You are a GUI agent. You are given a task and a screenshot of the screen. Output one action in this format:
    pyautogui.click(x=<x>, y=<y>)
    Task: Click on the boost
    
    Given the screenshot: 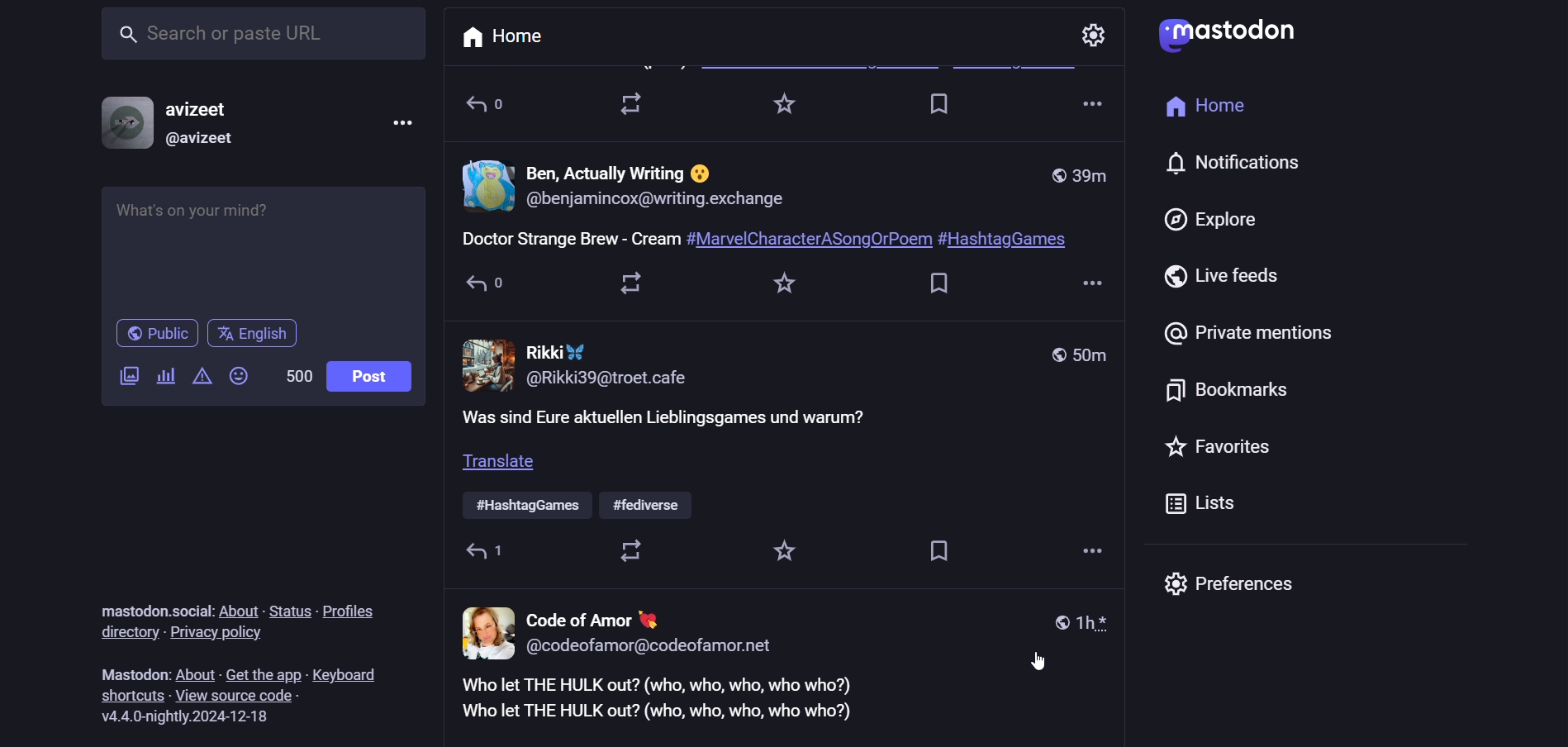 What is the action you would take?
    pyautogui.click(x=635, y=103)
    